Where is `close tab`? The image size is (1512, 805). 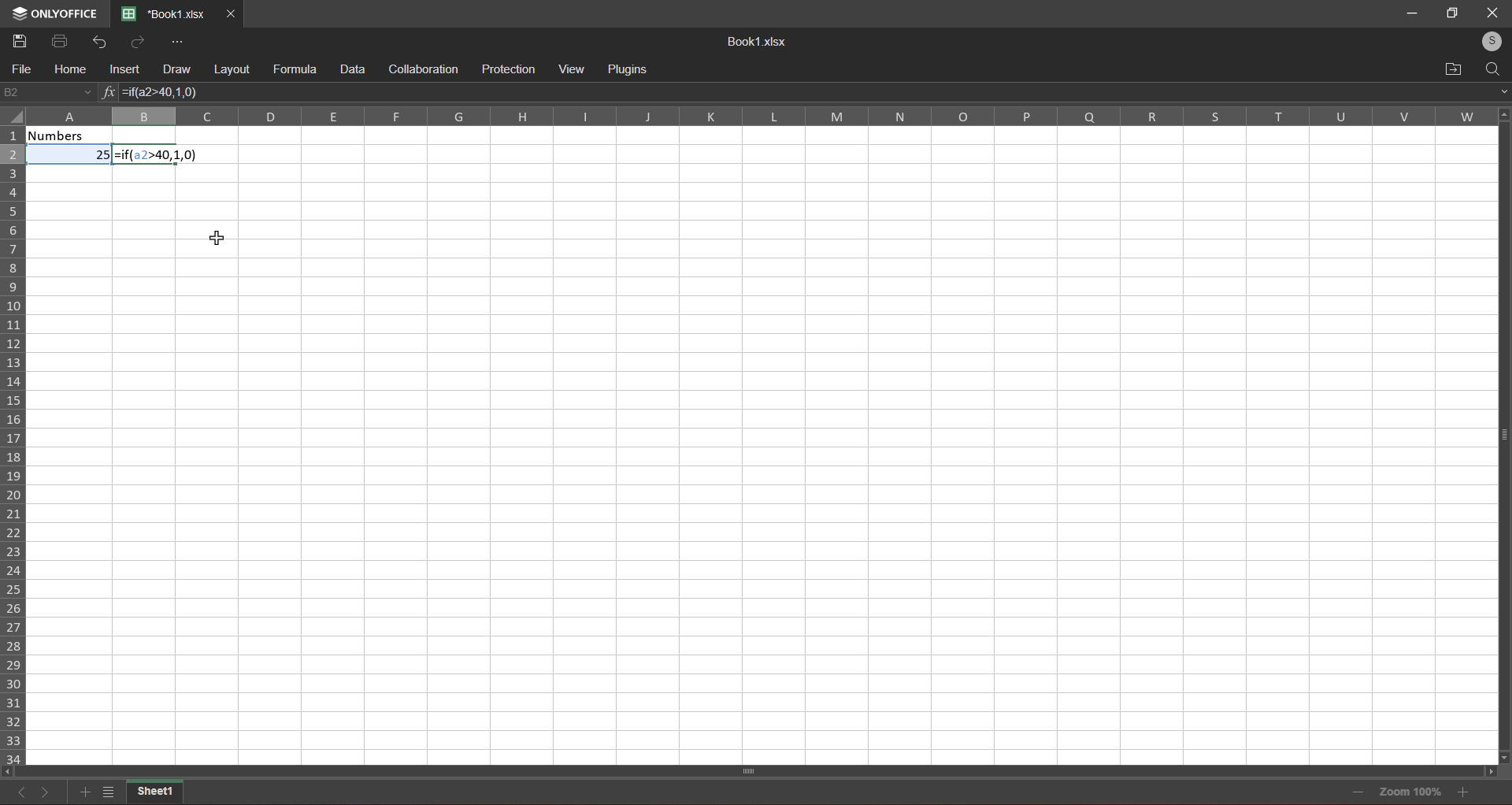 close tab is located at coordinates (231, 13).